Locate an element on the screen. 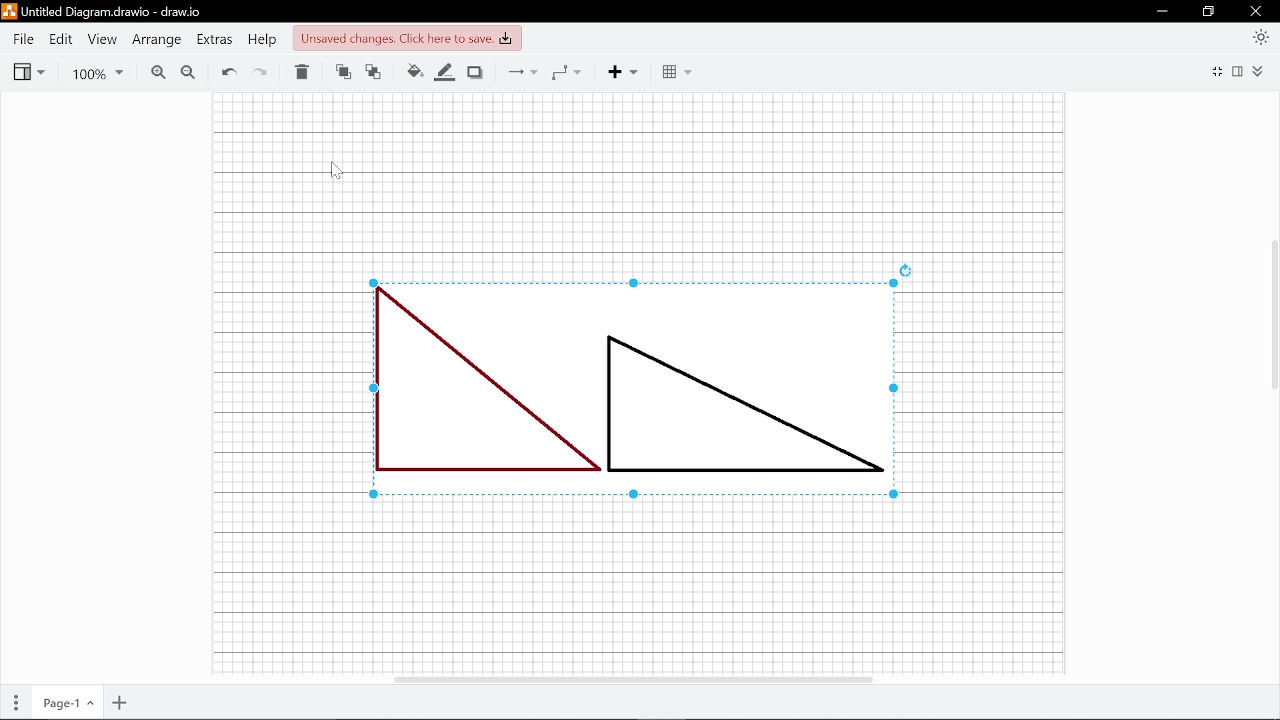  Zoom in is located at coordinates (154, 72).